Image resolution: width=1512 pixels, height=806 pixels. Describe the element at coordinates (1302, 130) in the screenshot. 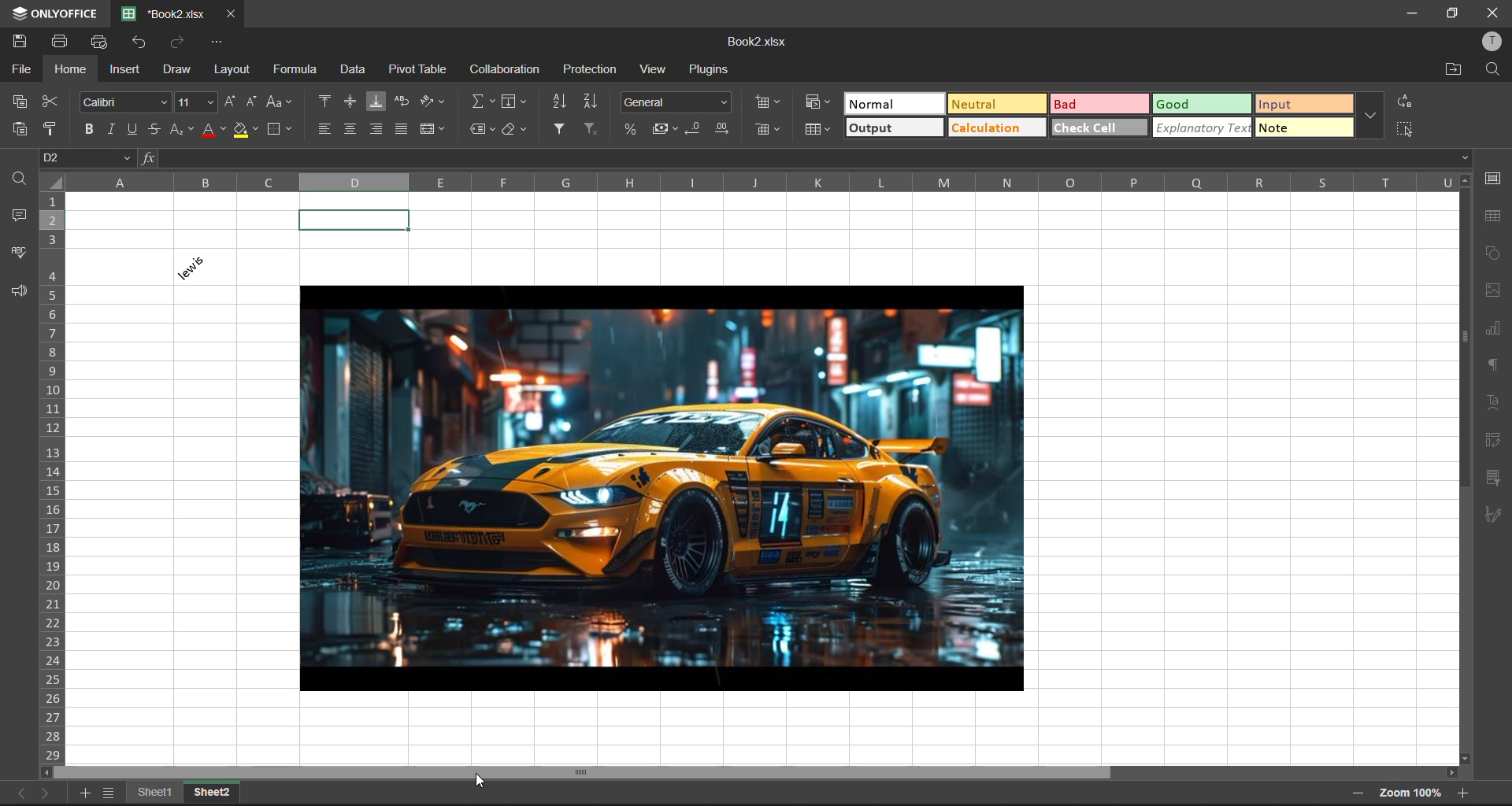

I see `note` at that location.